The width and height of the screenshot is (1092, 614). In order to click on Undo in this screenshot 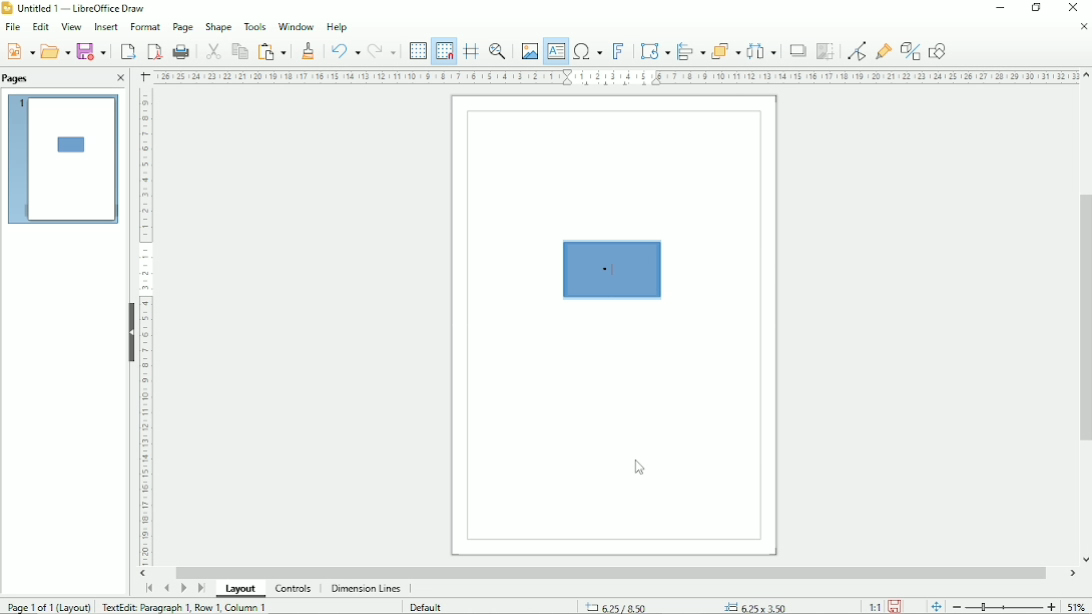, I will do `click(344, 49)`.